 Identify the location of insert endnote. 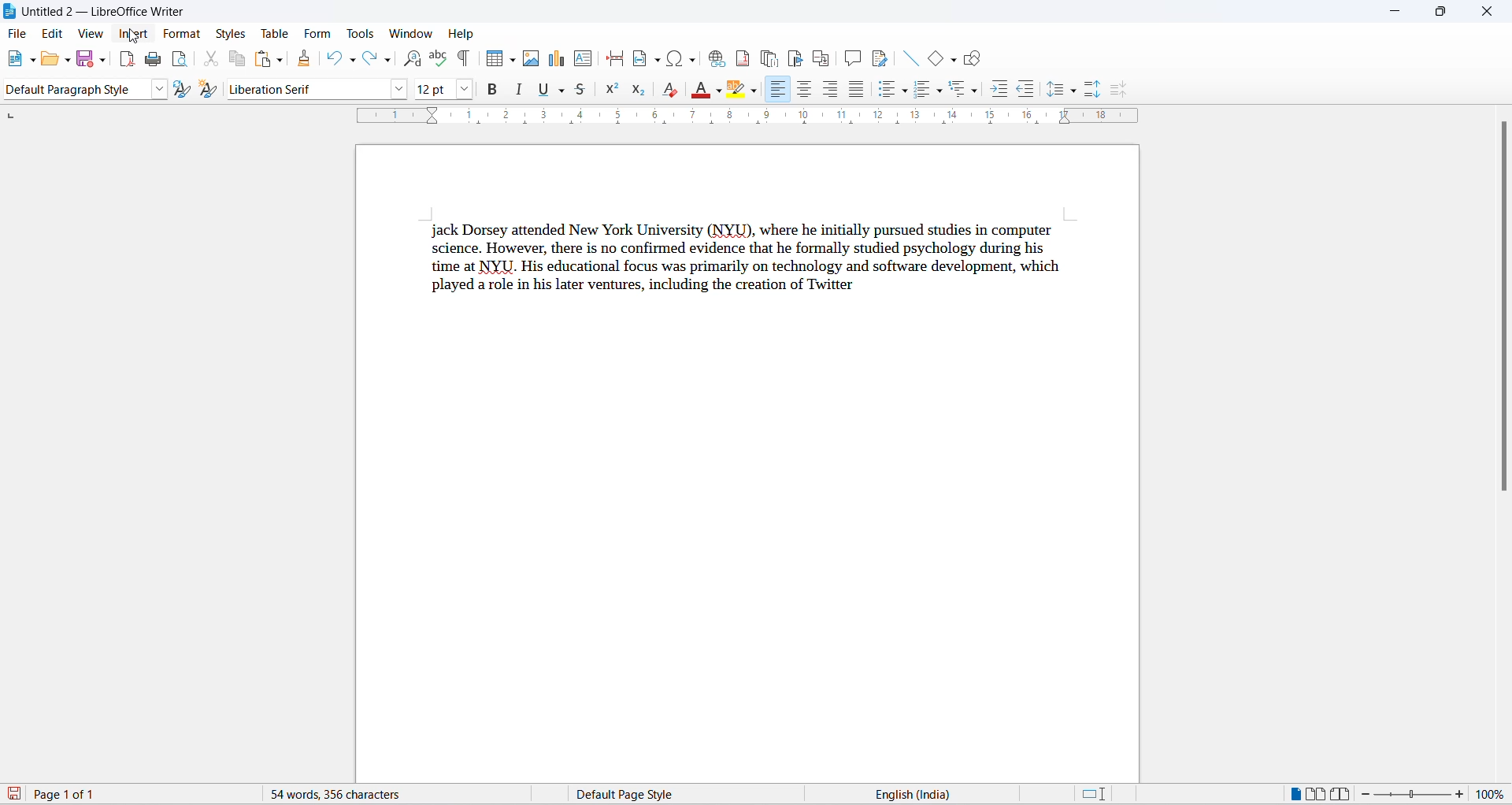
(767, 58).